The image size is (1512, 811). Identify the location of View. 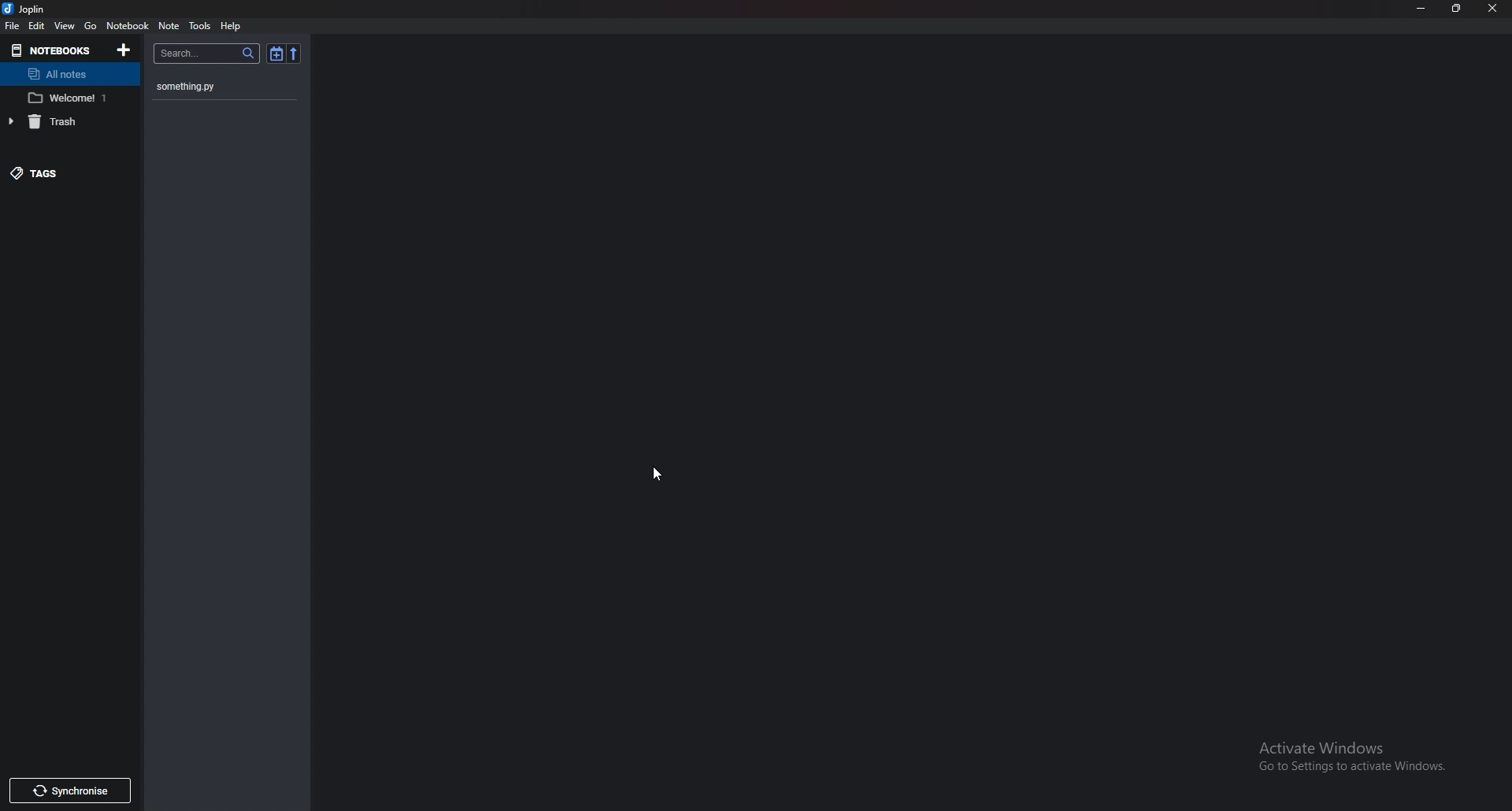
(66, 27).